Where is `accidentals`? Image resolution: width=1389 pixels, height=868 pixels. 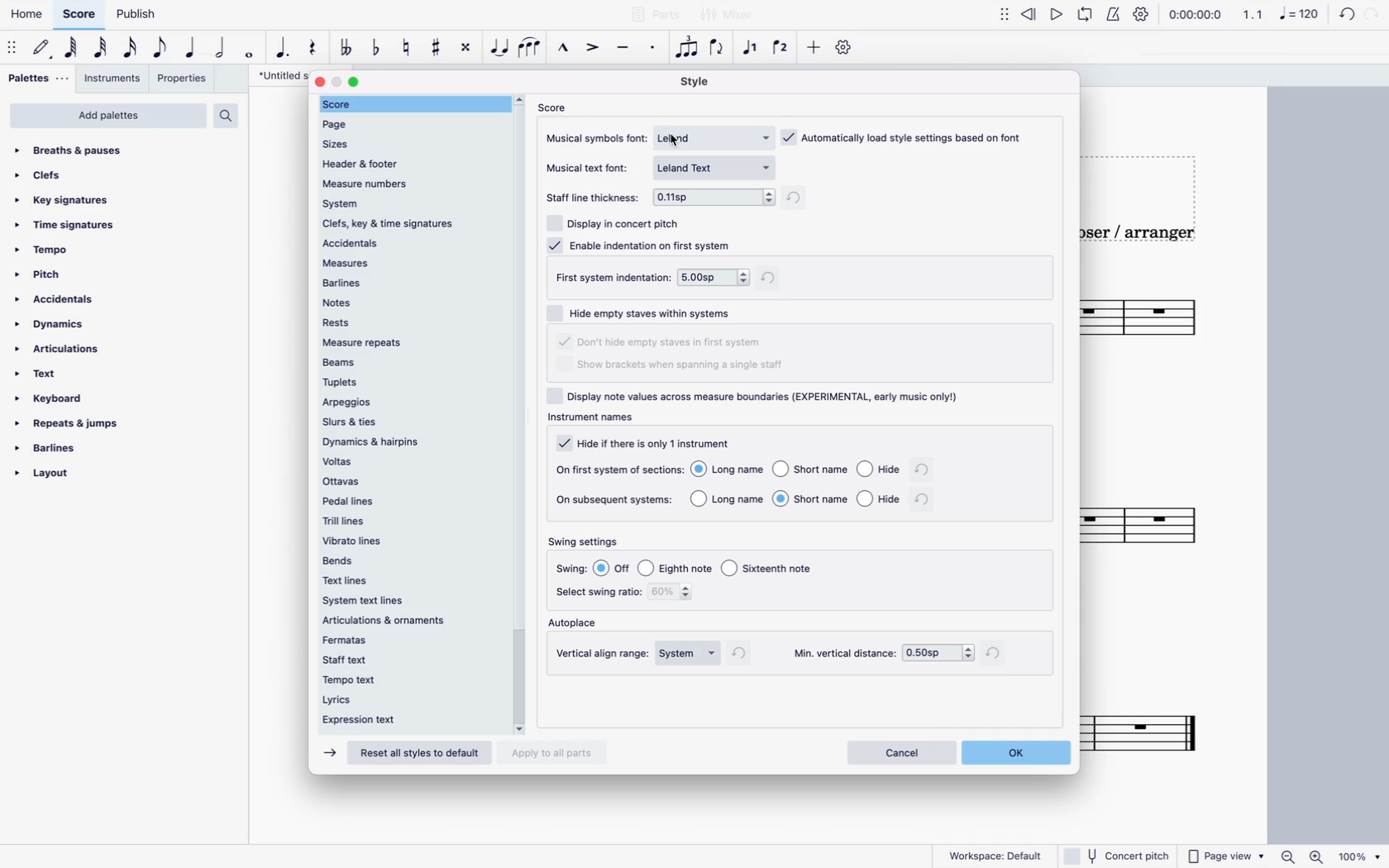 accidentals is located at coordinates (66, 301).